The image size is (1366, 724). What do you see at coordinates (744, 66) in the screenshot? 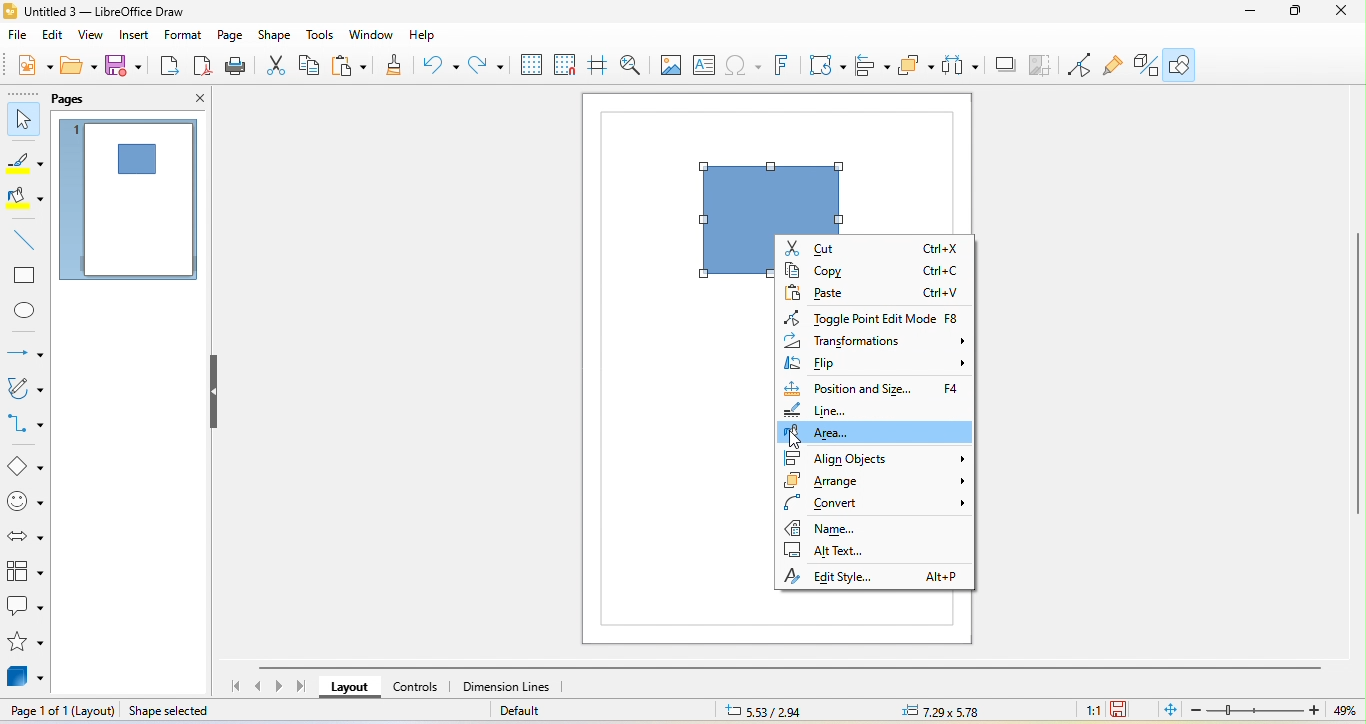
I see `special character` at bounding box center [744, 66].